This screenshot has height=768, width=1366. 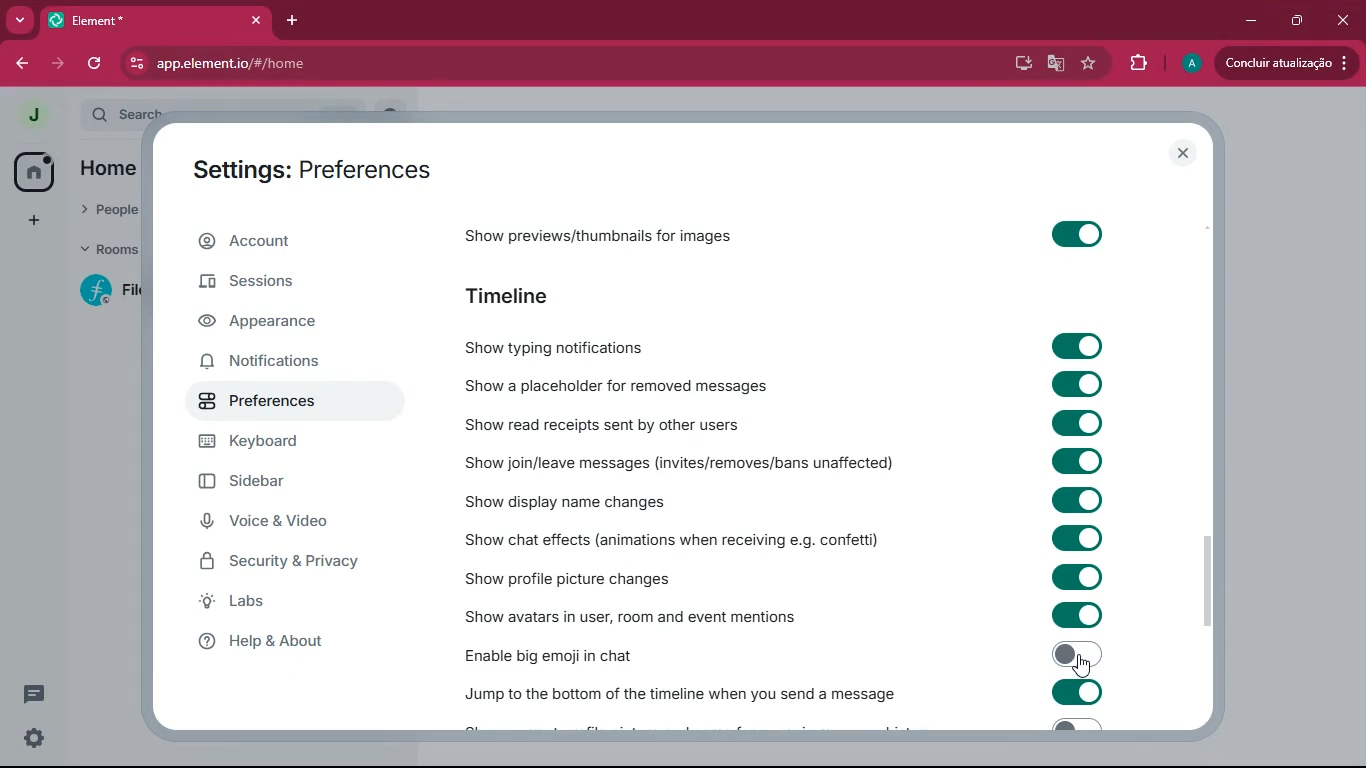 What do you see at coordinates (35, 219) in the screenshot?
I see `add` at bounding box center [35, 219].